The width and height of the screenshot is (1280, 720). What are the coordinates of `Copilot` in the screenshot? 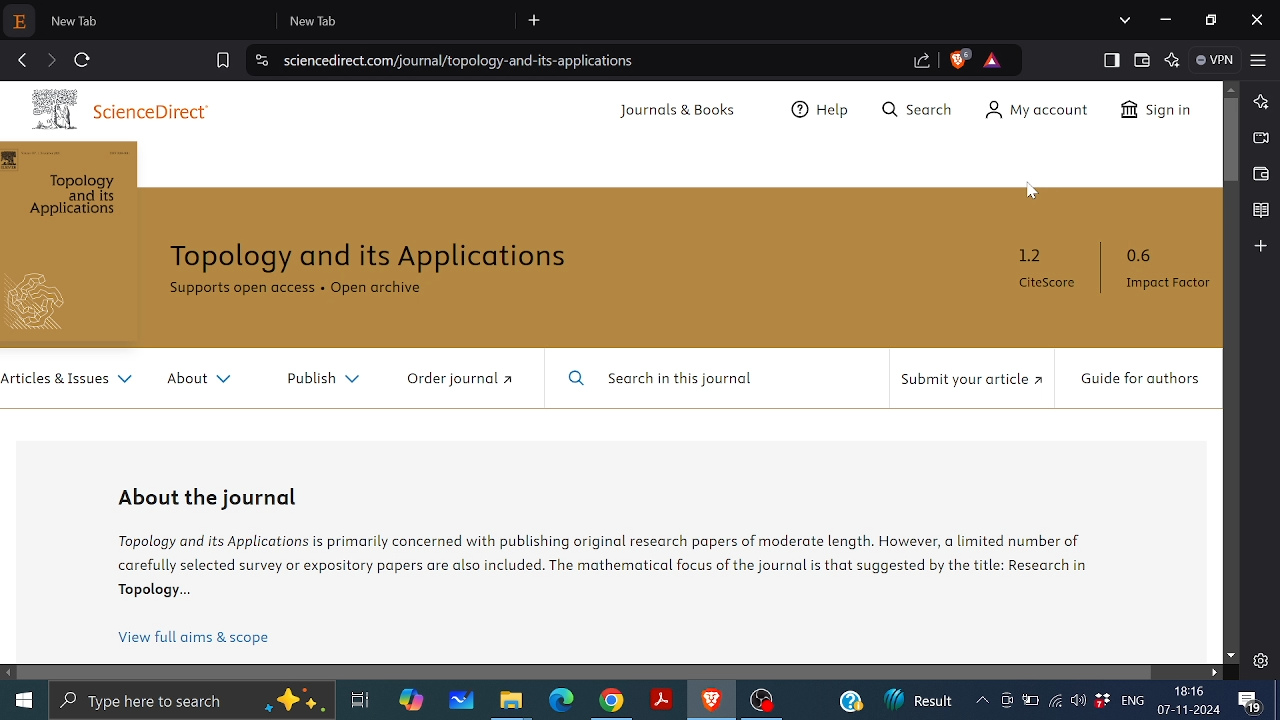 It's located at (413, 700).